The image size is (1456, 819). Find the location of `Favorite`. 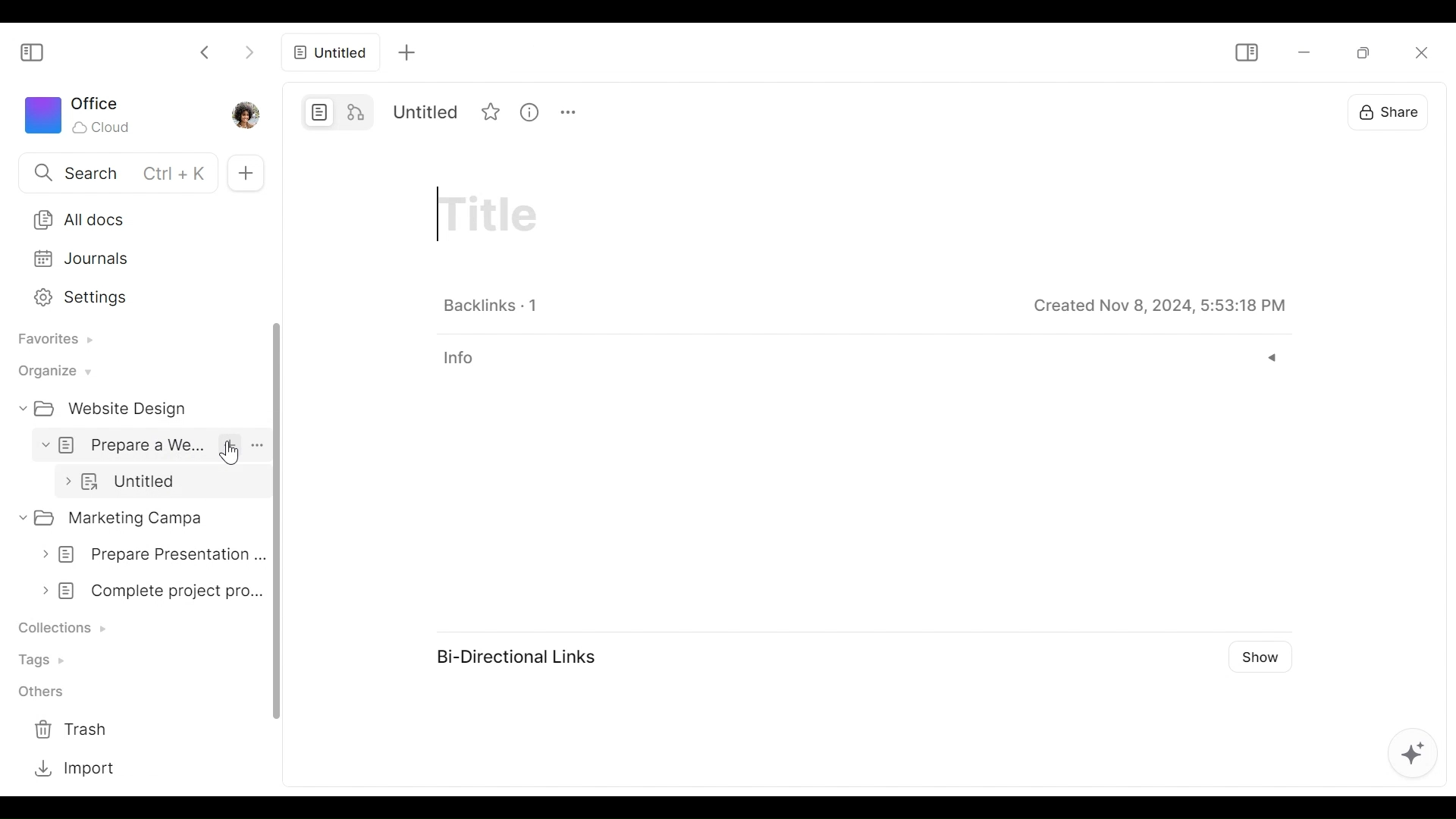

Favorite is located at coordinates (648, 111).